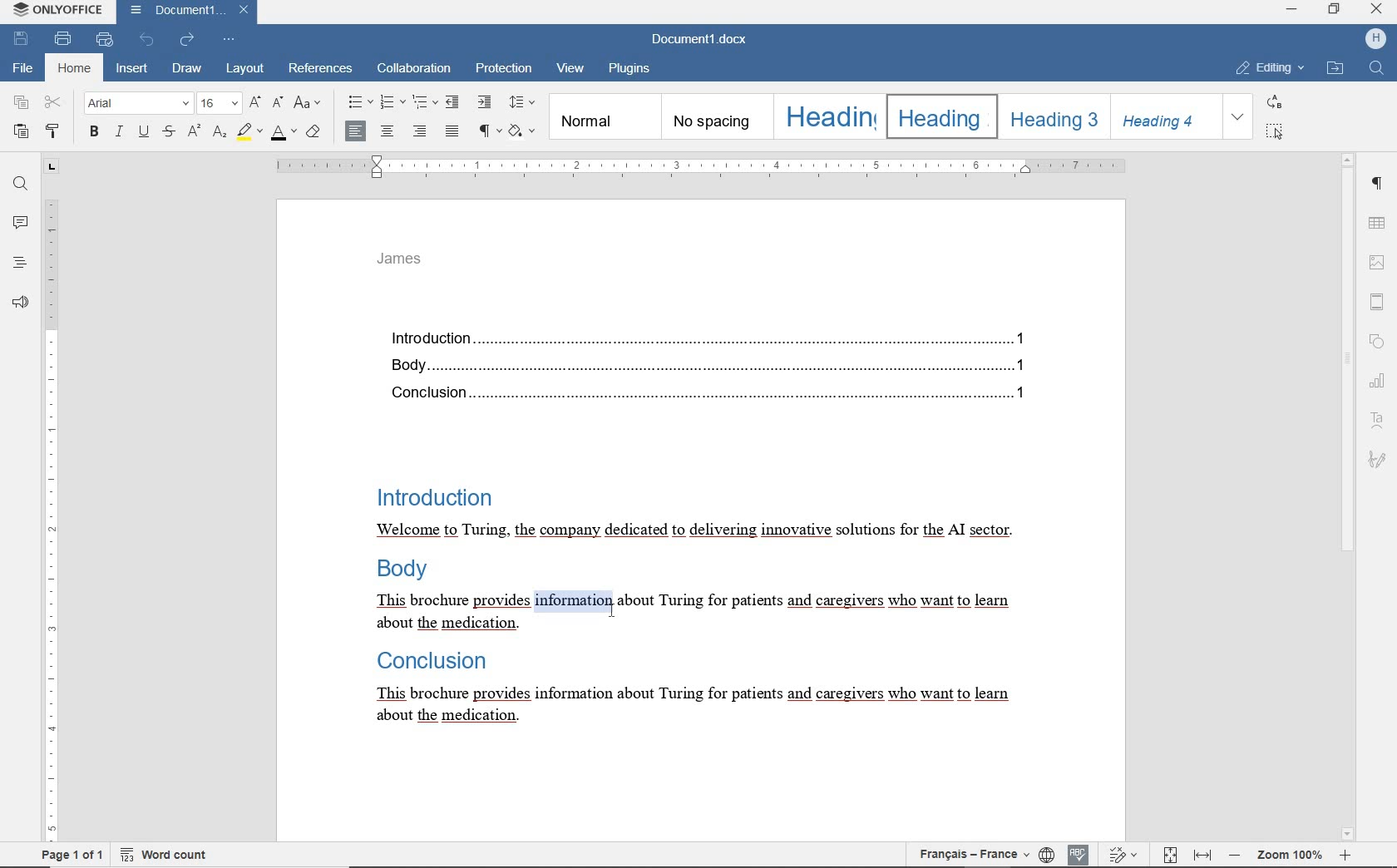 This screenshot has height=868, width=1397. Describe the element at coordinates (356, 130) in the screenshot. I see `ALIGN LEFT` at that location.